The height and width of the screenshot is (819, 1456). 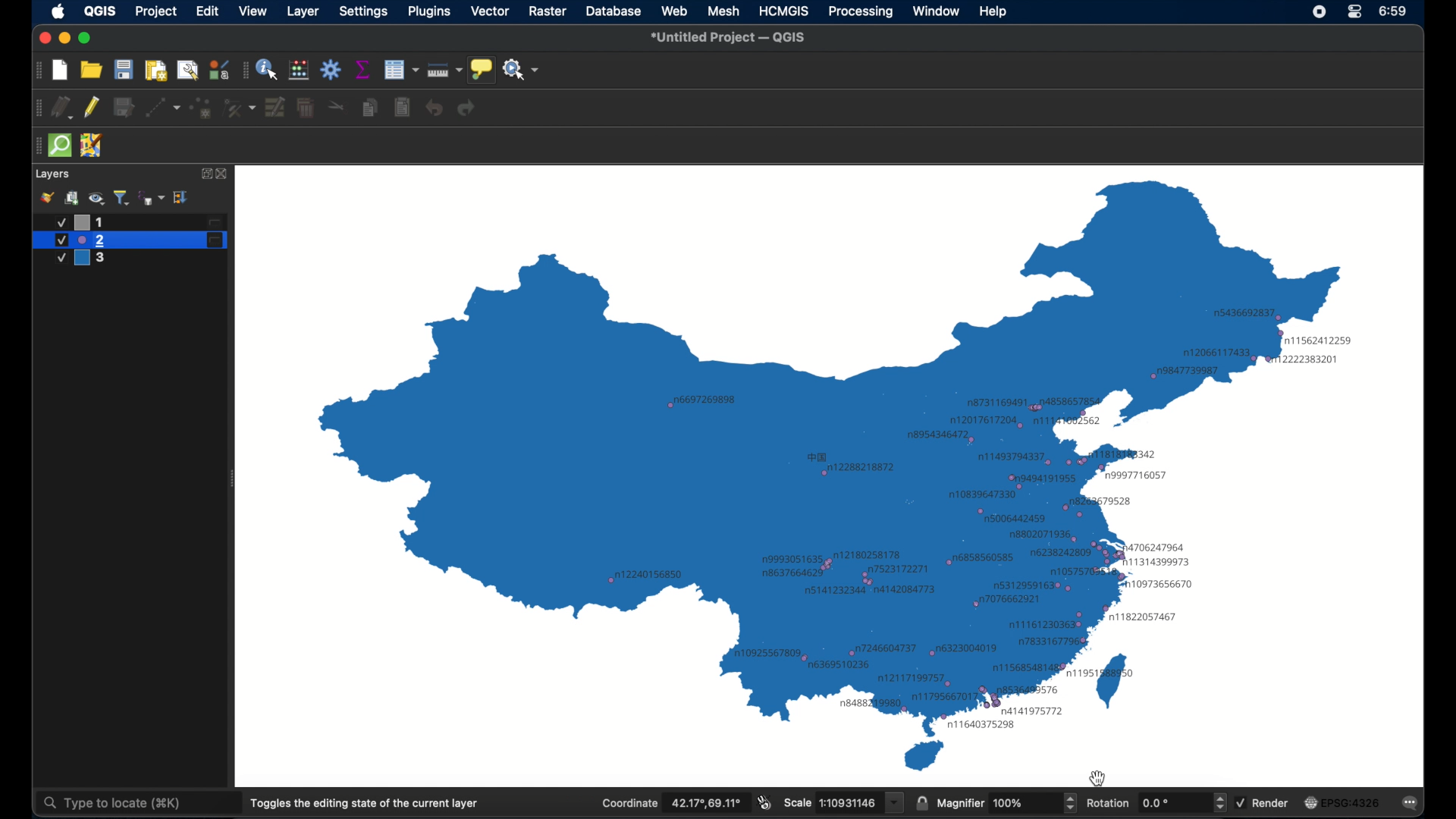 What do you see at coordinates (548, 11) in the screenshot?
I see `raster` at bounding box center [548, 11].